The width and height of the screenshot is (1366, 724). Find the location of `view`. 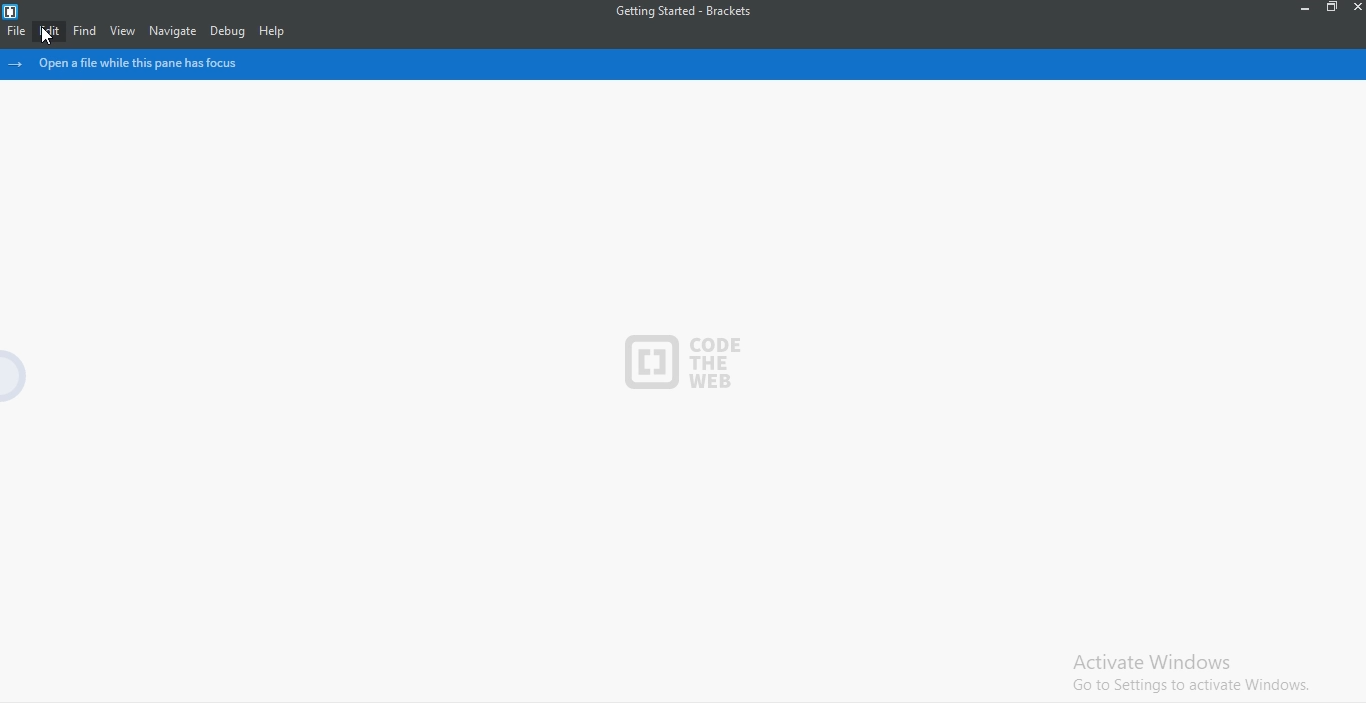

view is located at coordinates (123, 31).